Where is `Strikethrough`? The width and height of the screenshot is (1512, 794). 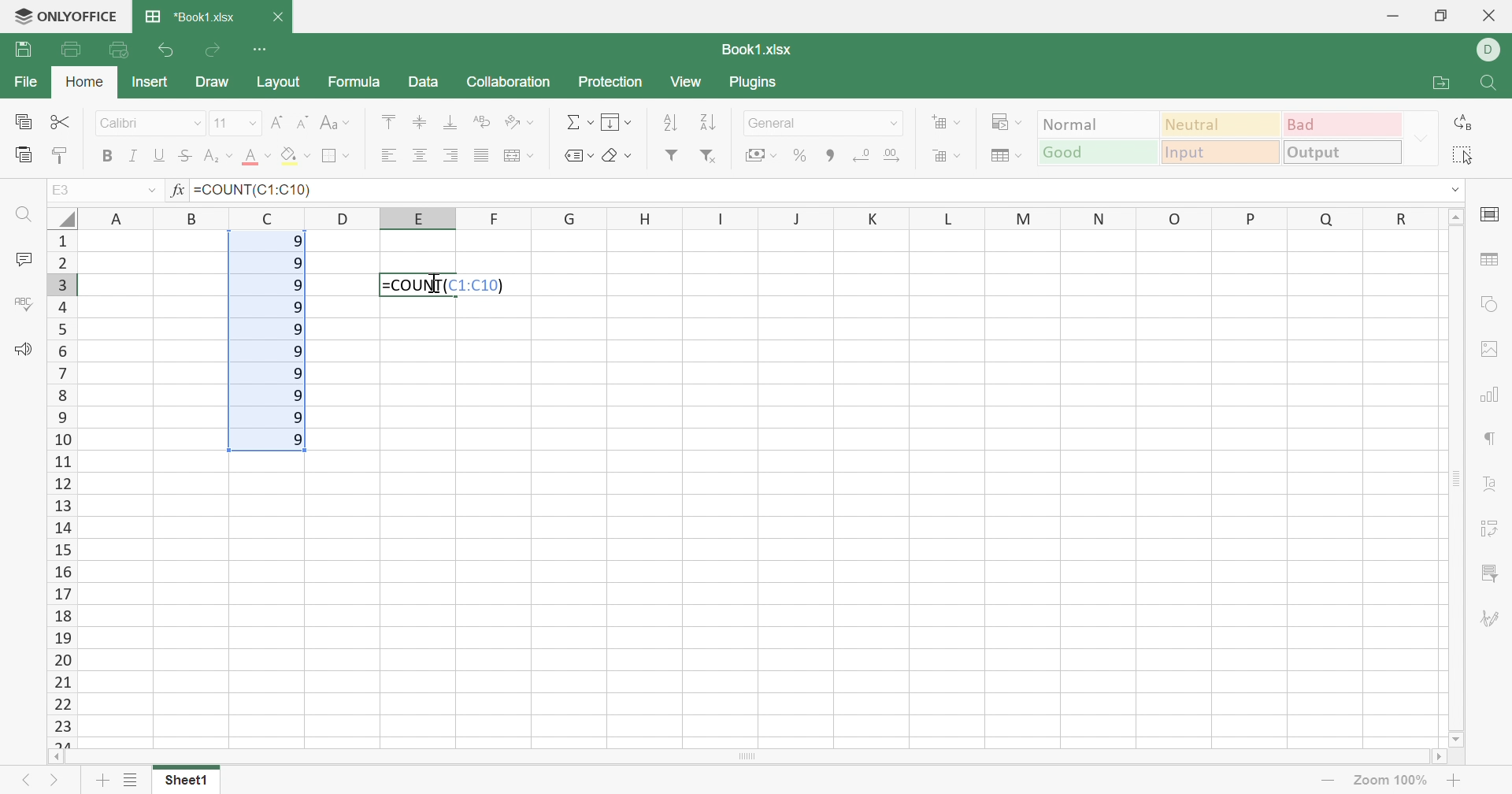 Strikethrough is located at coordinates (183, 156).